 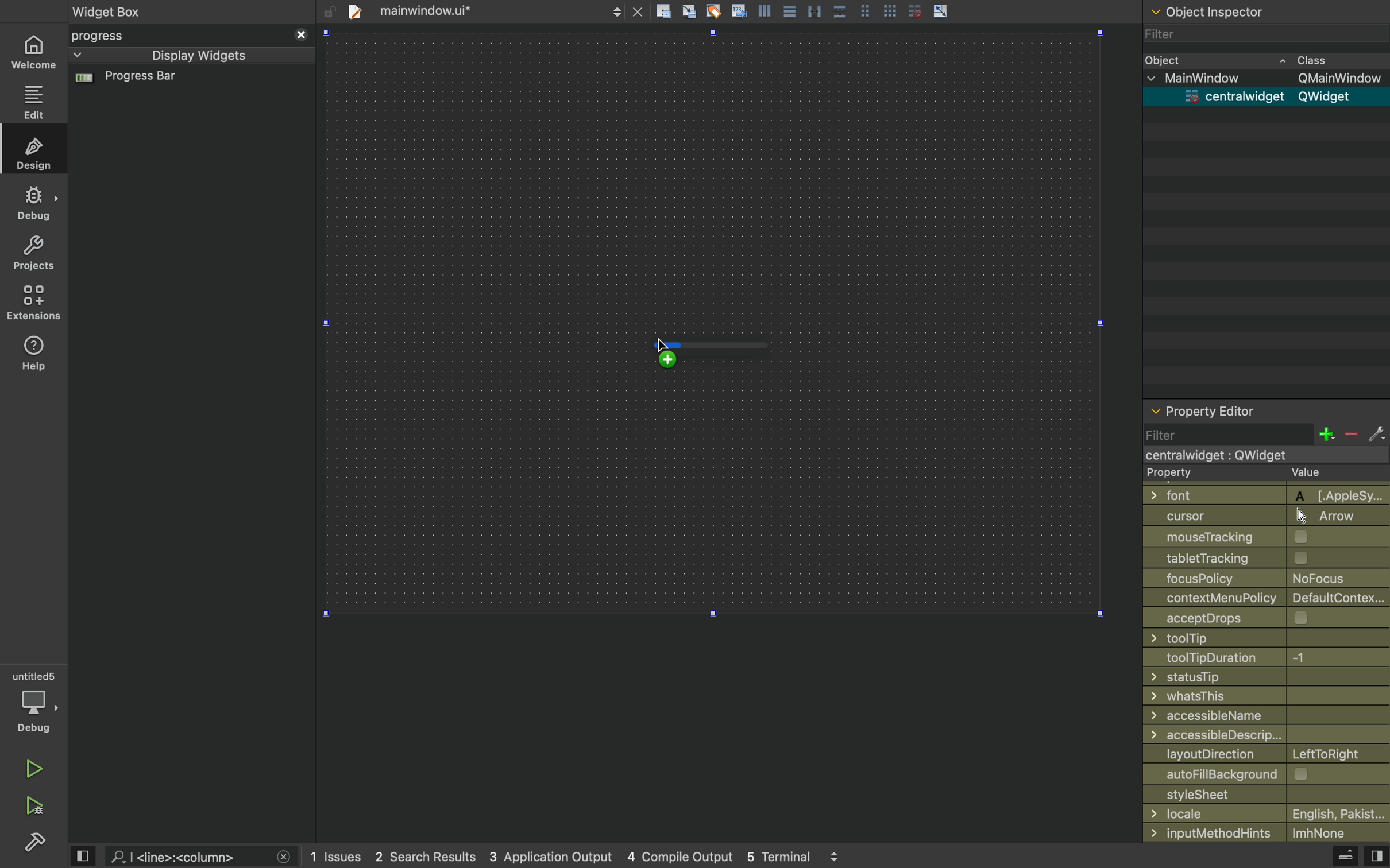 What do you see at coordinates (1256, 474) in the screenshot?
I see `property` at bounding box center [1256, 474].